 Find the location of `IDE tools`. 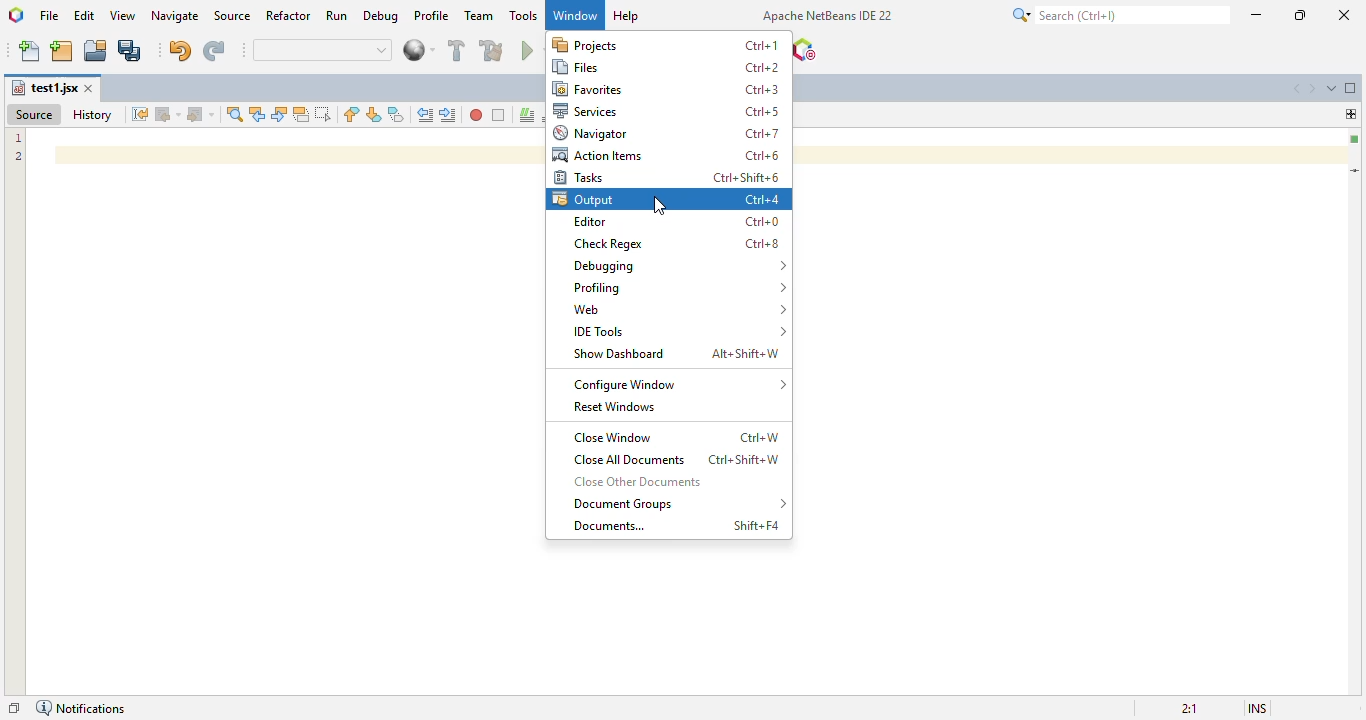

IDE tools is located at coordinates (677, 332).